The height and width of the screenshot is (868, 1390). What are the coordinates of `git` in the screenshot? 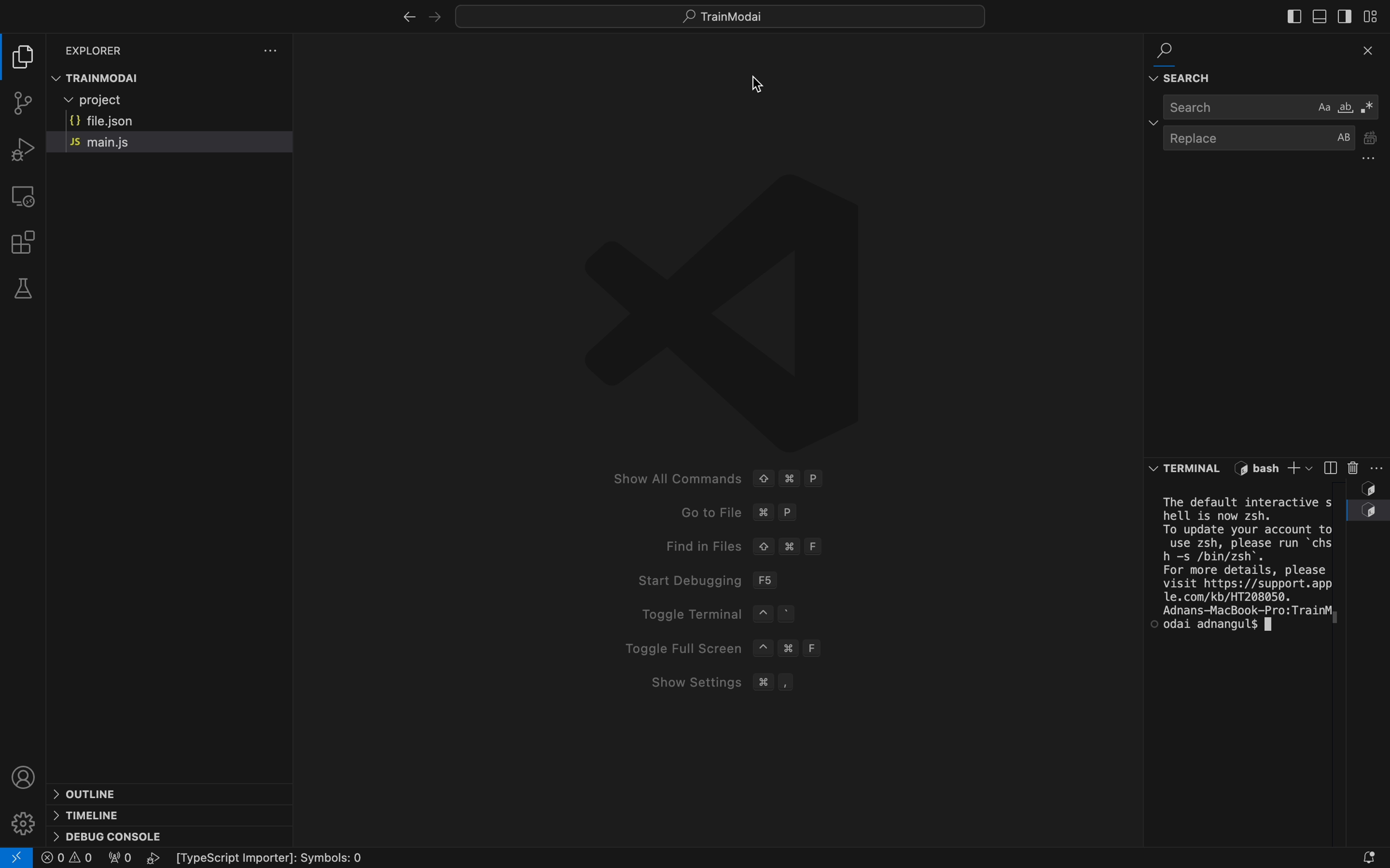 It's located at (25, 105).